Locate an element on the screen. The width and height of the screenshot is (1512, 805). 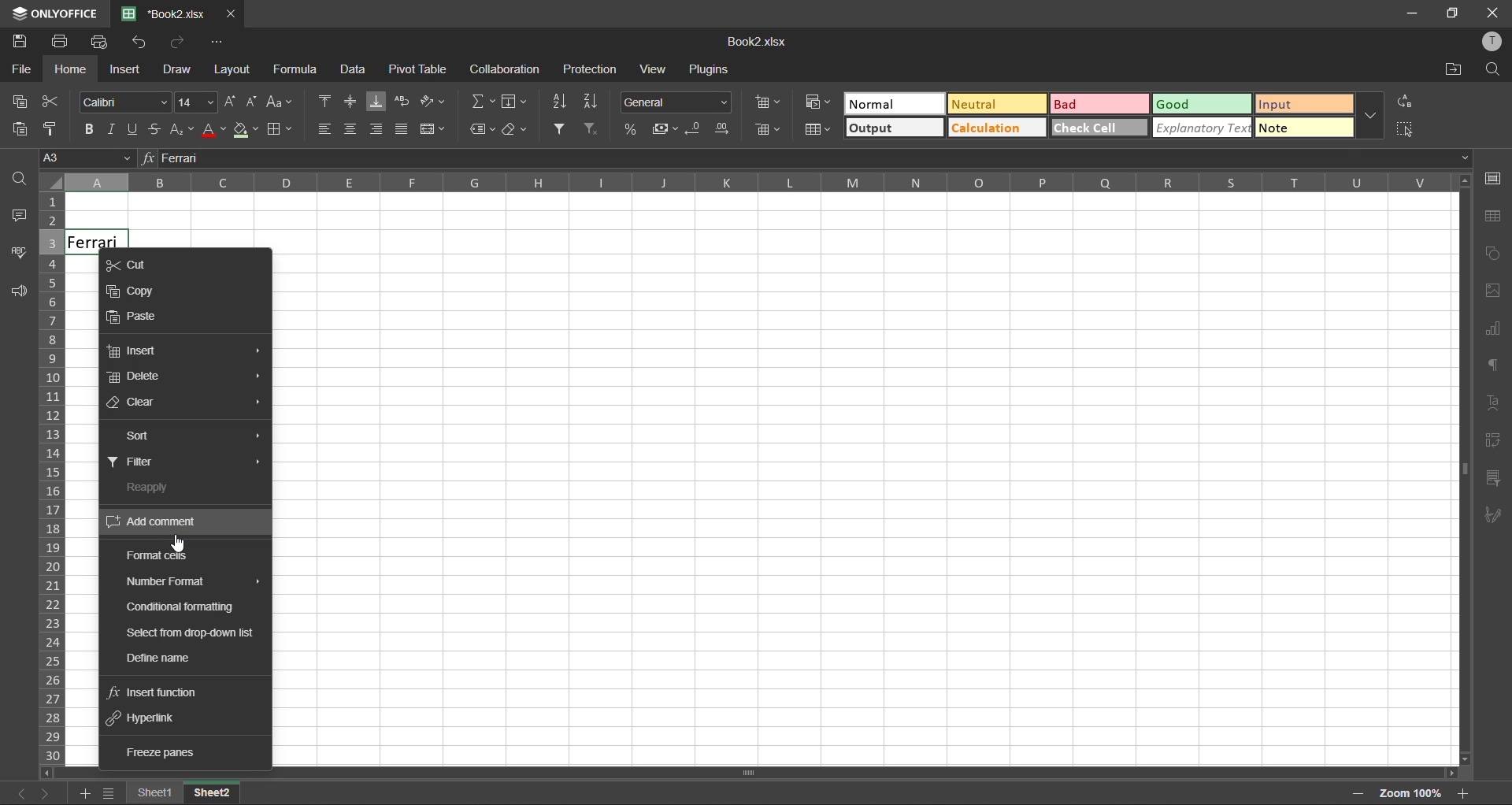
data is located at coordinates (352, 72).